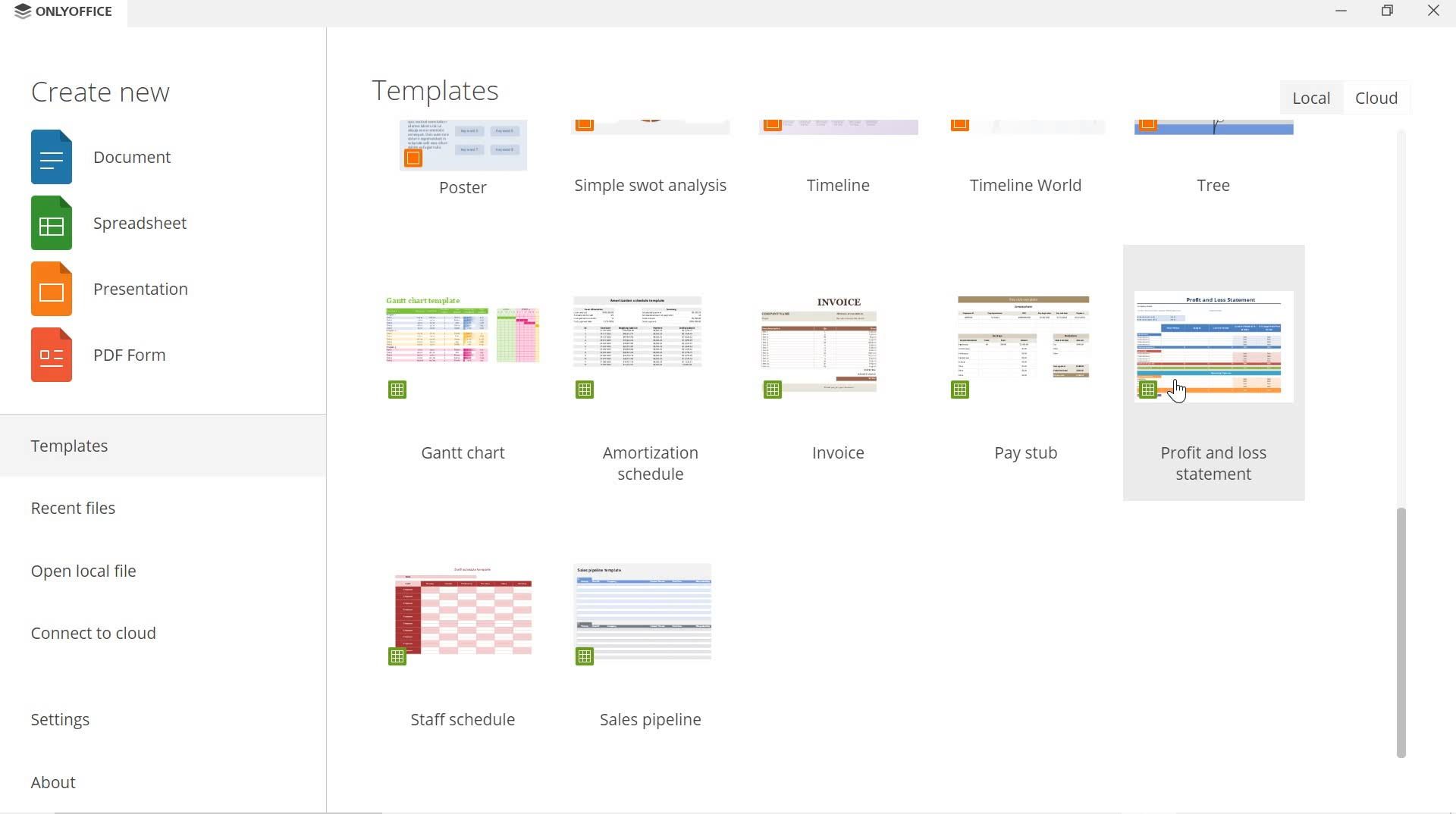  What do you see at coordinates (464, 615) in the screenshot?
I see `Template design` at bounding box center [464, 615].